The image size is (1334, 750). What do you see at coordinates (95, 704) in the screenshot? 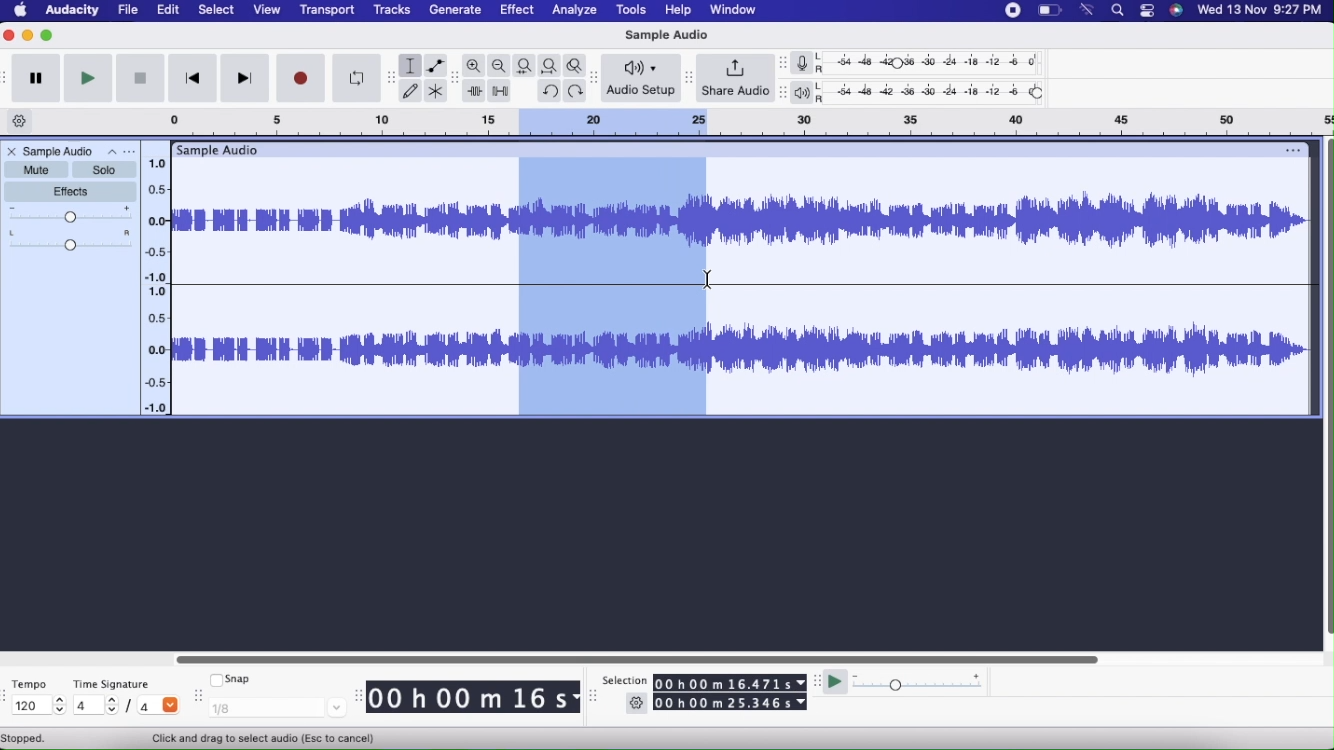
I see `4` at bounding box center [95, 704].